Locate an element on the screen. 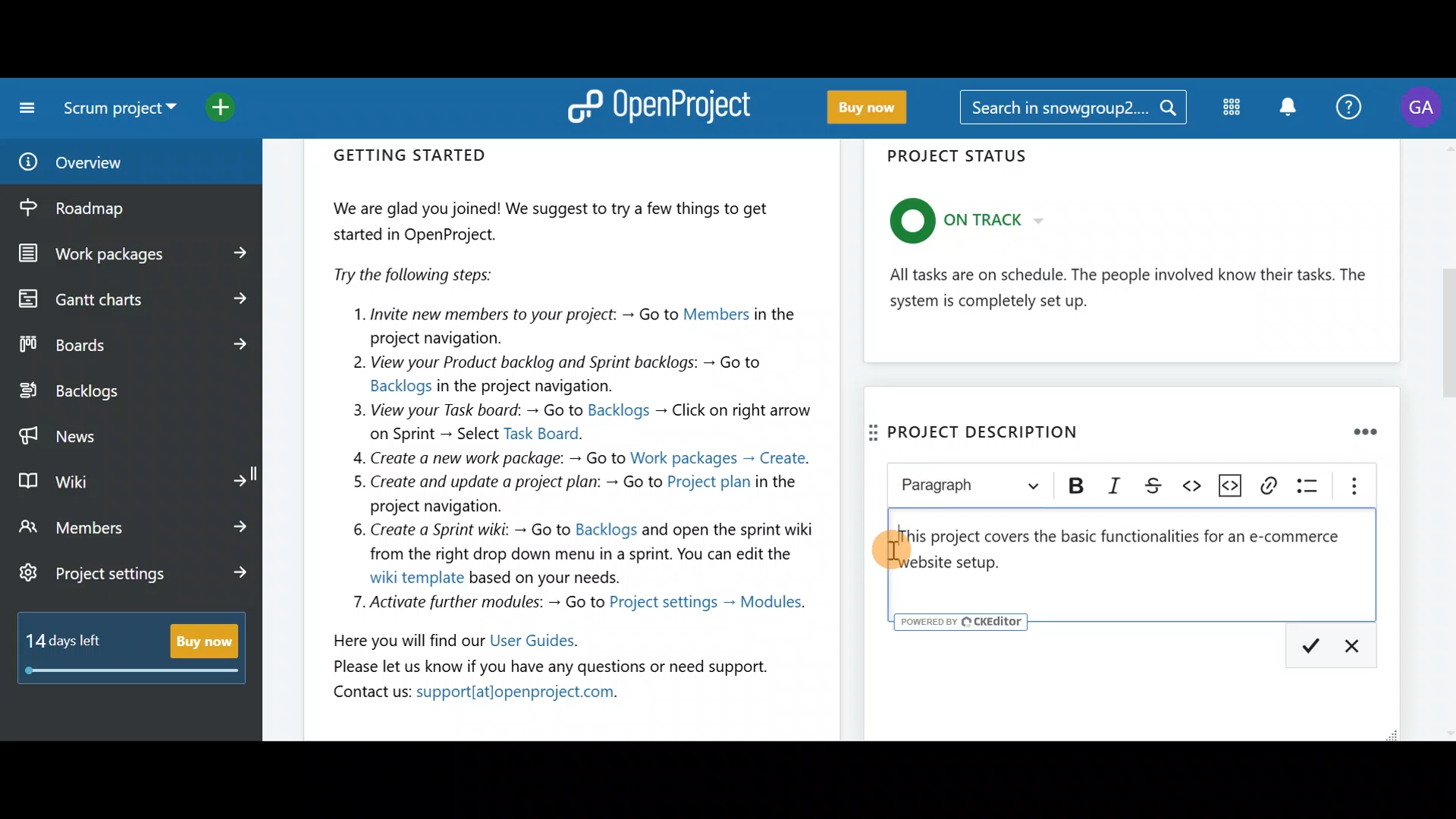  Buy now is located at coordinates (138, 657).